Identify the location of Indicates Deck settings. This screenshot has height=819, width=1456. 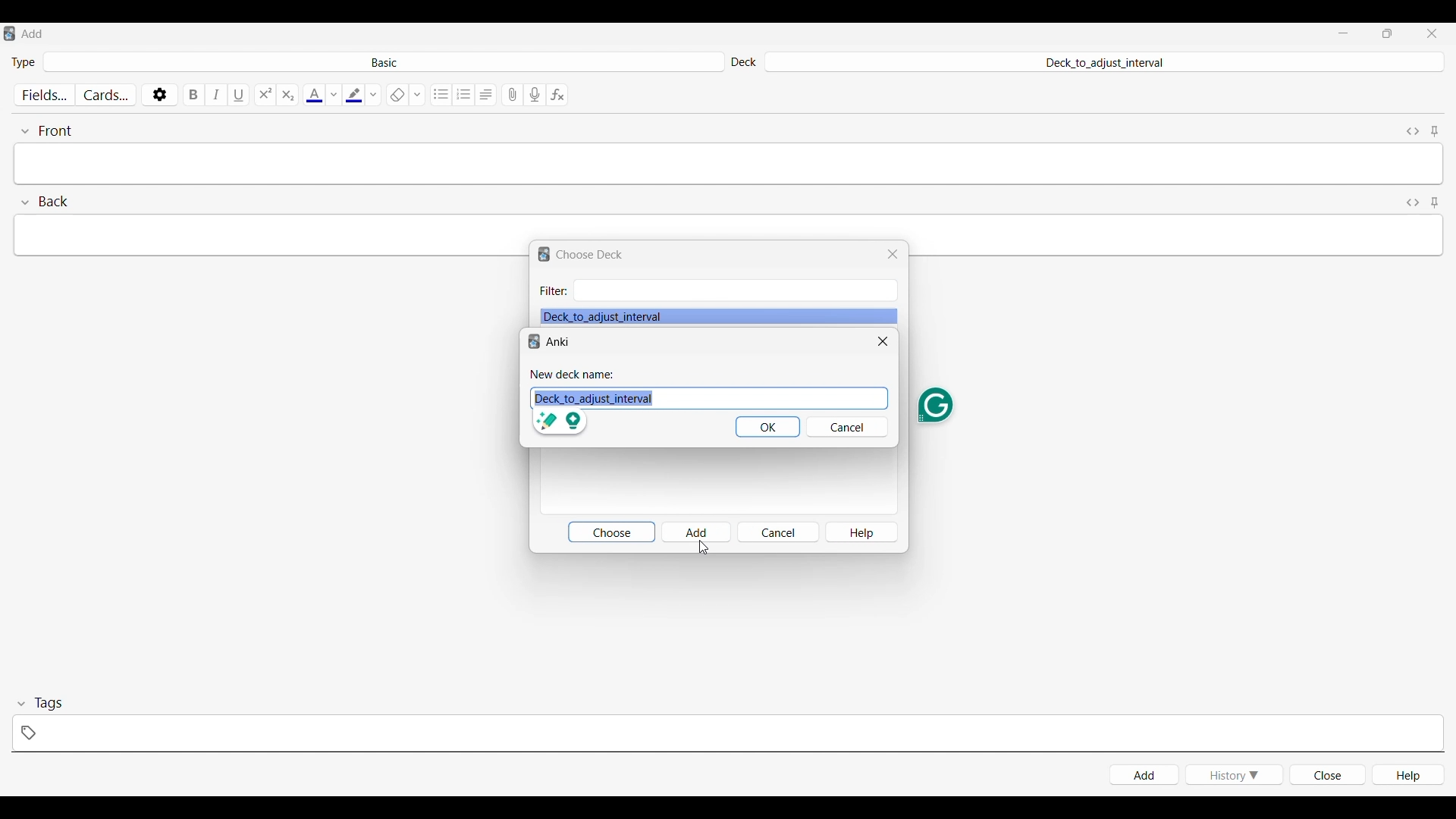
(743, 63).